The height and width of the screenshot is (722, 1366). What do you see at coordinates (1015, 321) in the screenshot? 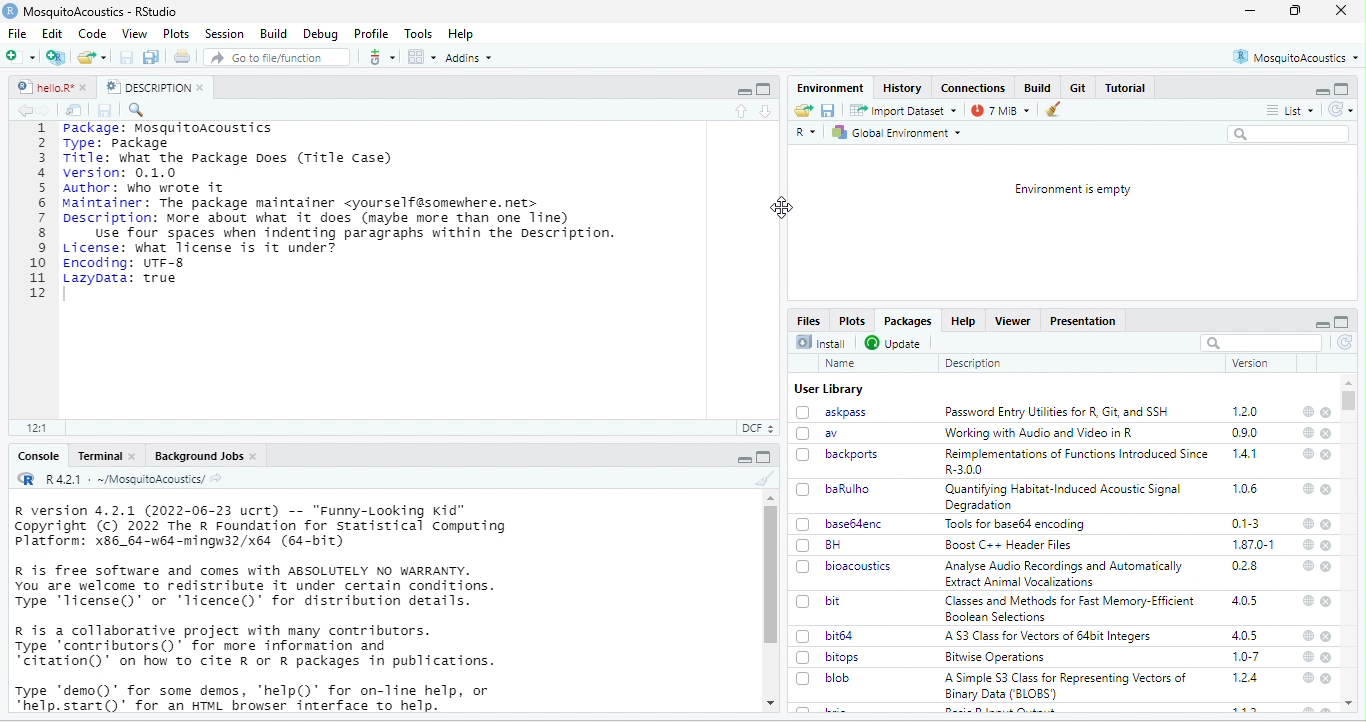
I see `Viewer` at bounding box center [1015, 321].